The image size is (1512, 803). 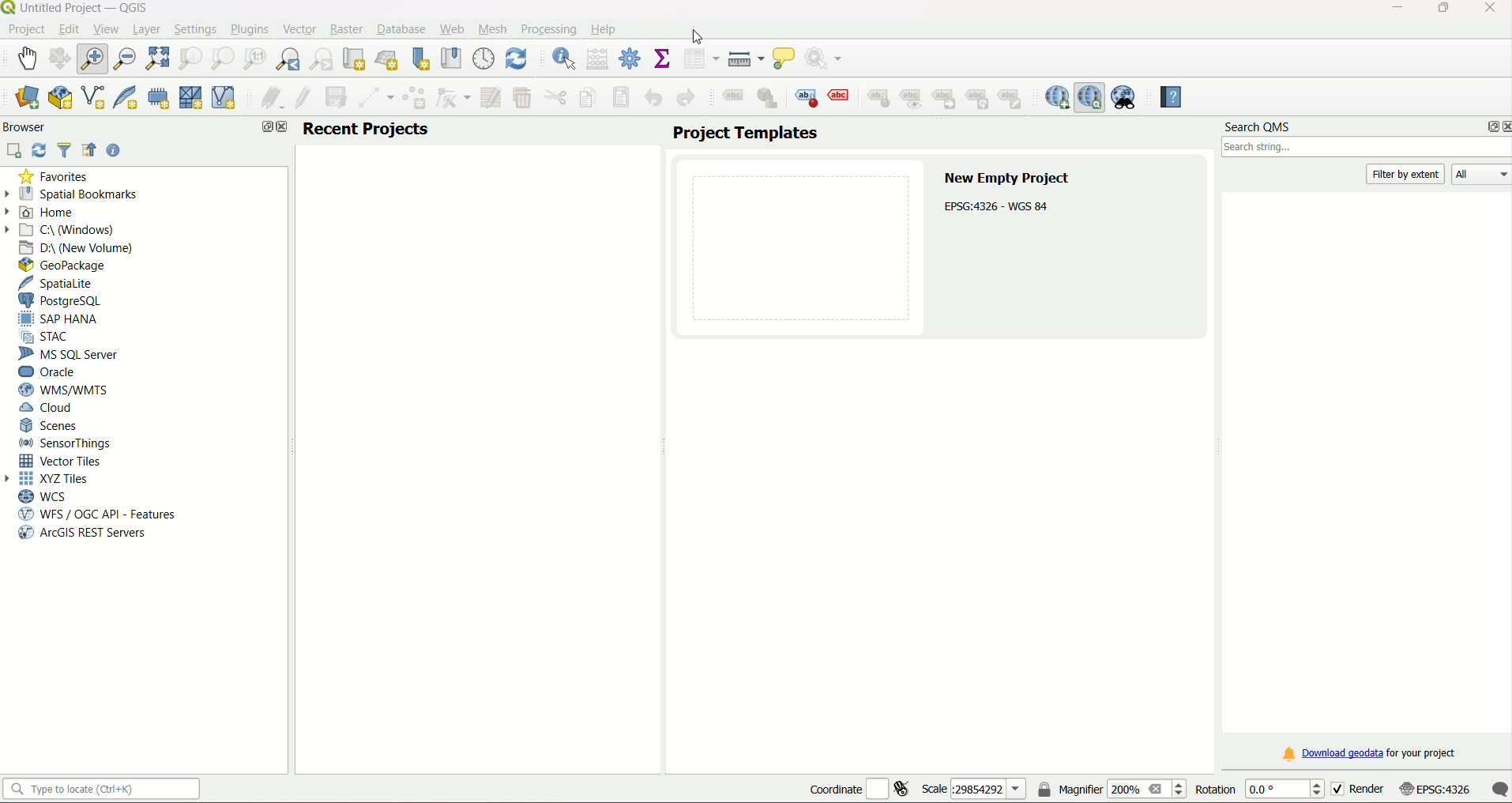 What do you see at coordinates (12, 478) in the screenshot?
I see `arrow` at bounding box center [12, 478].